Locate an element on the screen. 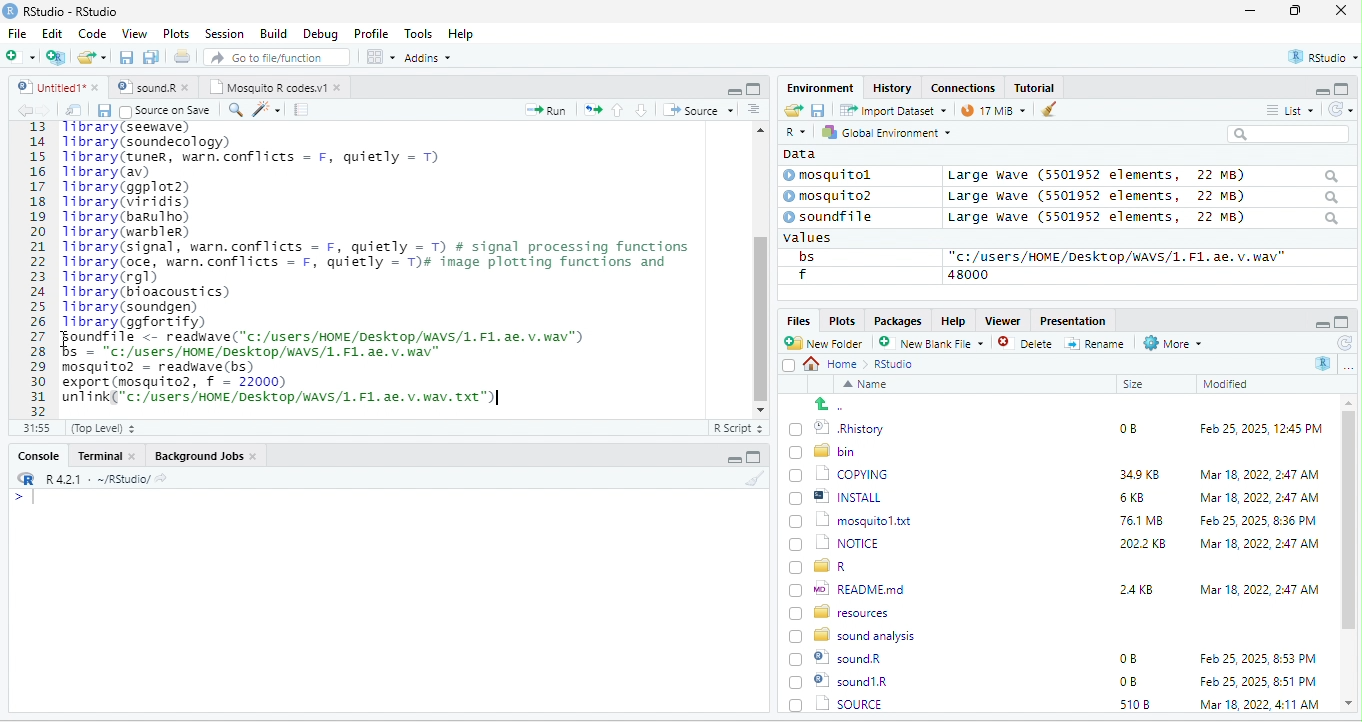 The width and height of the screenshot is (1362, 722). go back is located at coordinates (837, 404).